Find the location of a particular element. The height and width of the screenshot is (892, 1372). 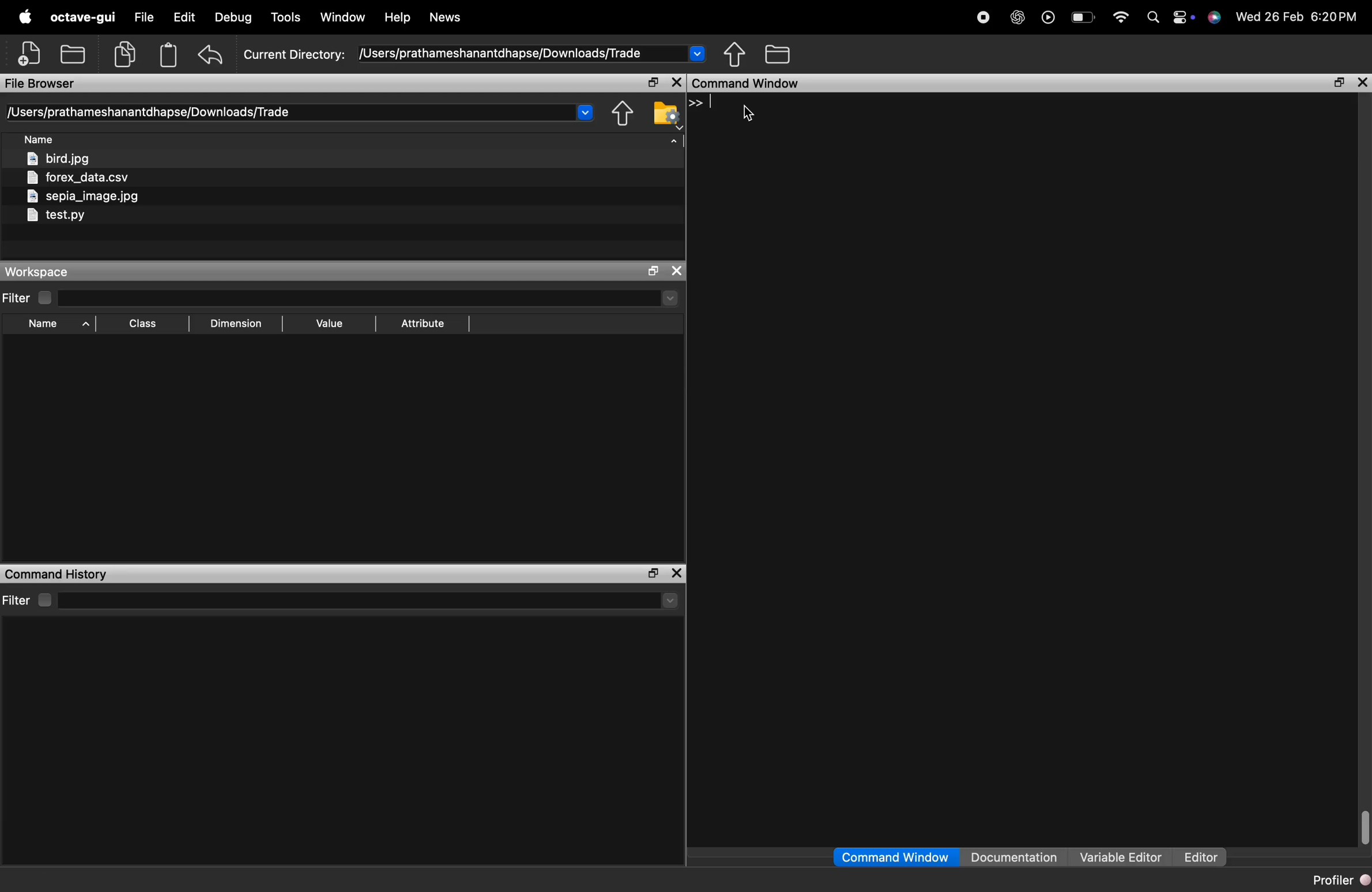

close is located at coordinates (677, 574).